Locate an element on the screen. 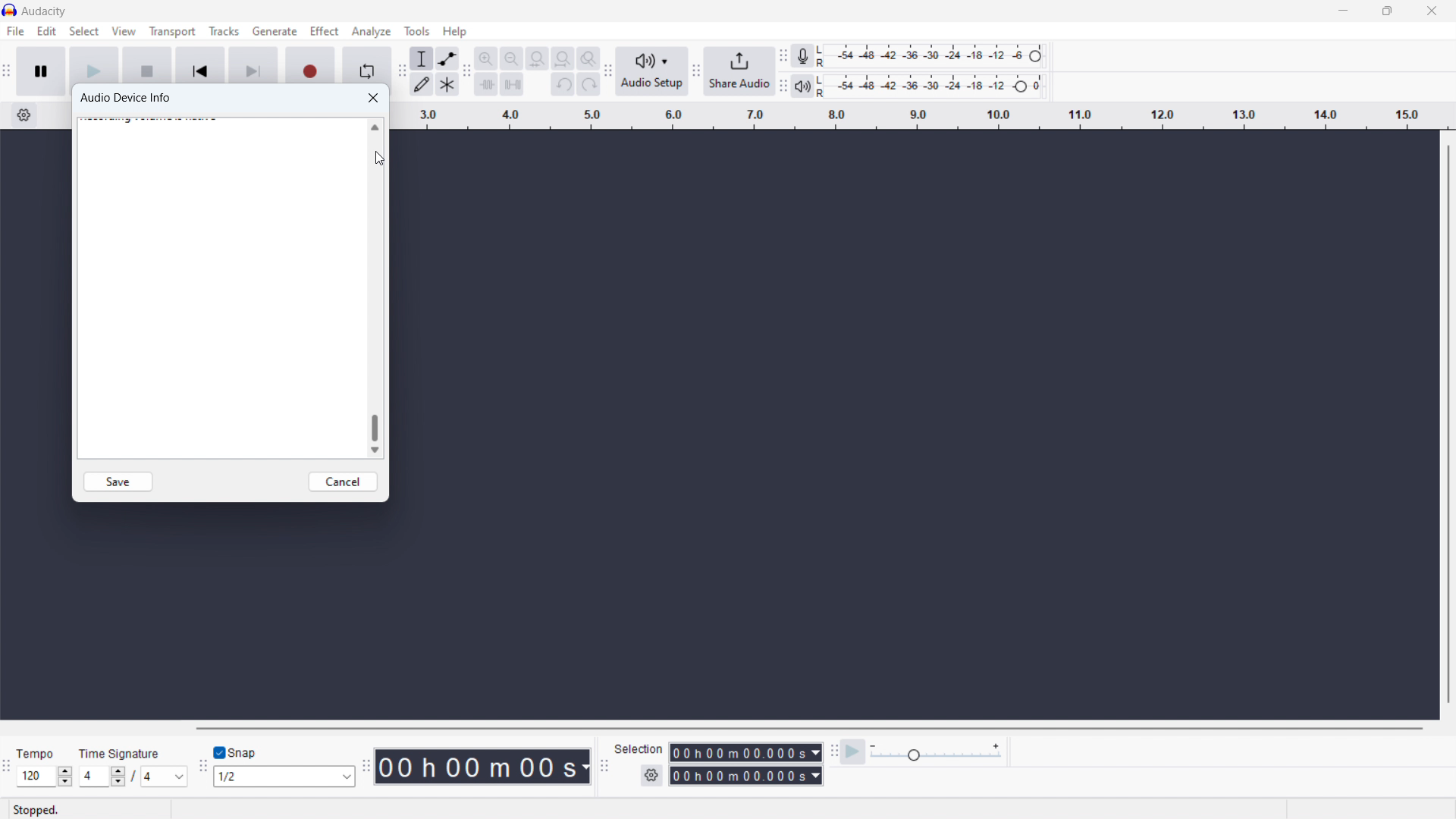 The height and width of the screenshot is (819, 1456). end time is located at coordinates (745, 775).